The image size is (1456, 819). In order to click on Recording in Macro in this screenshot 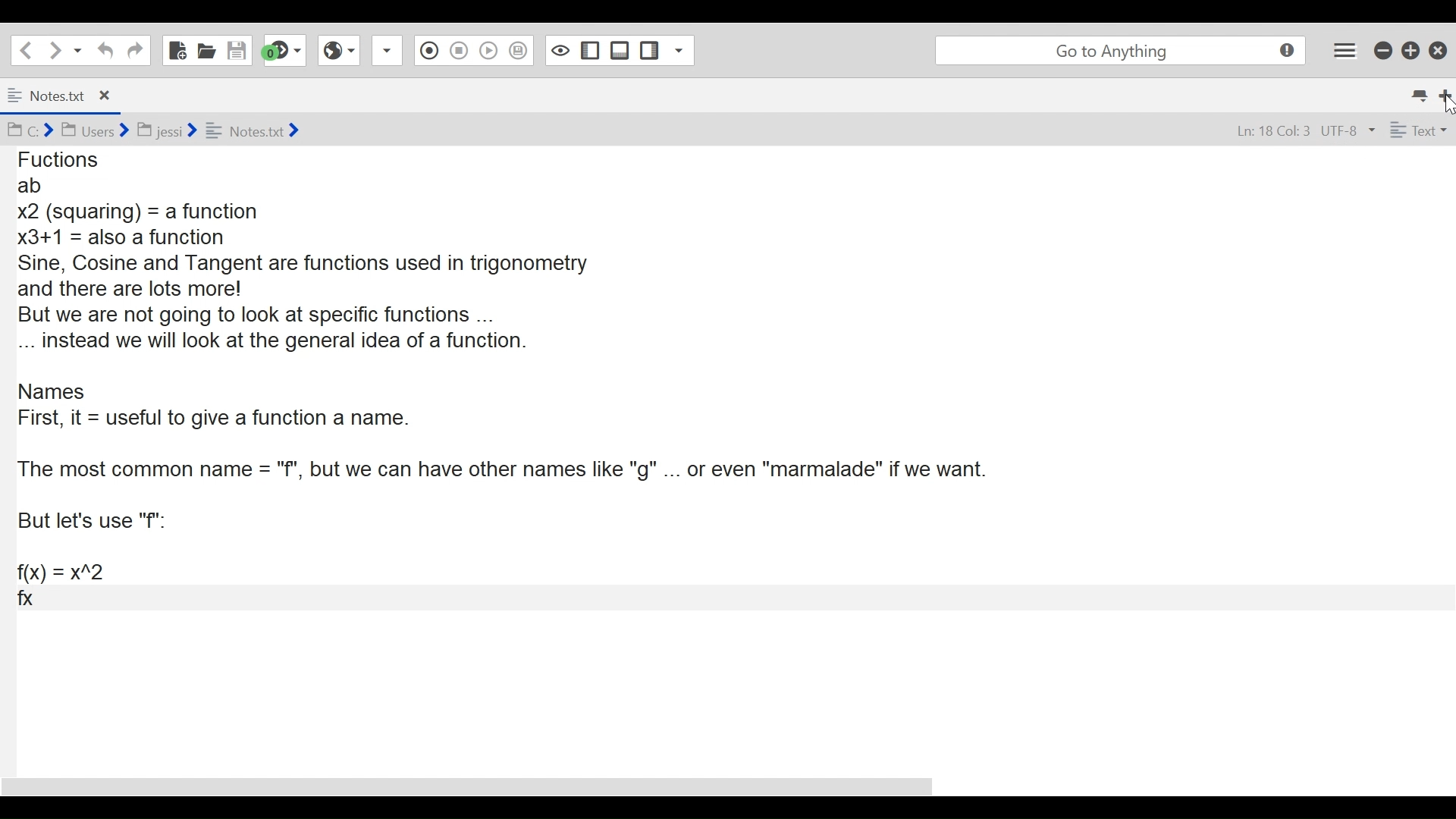, I will do `click(429, 51)`.